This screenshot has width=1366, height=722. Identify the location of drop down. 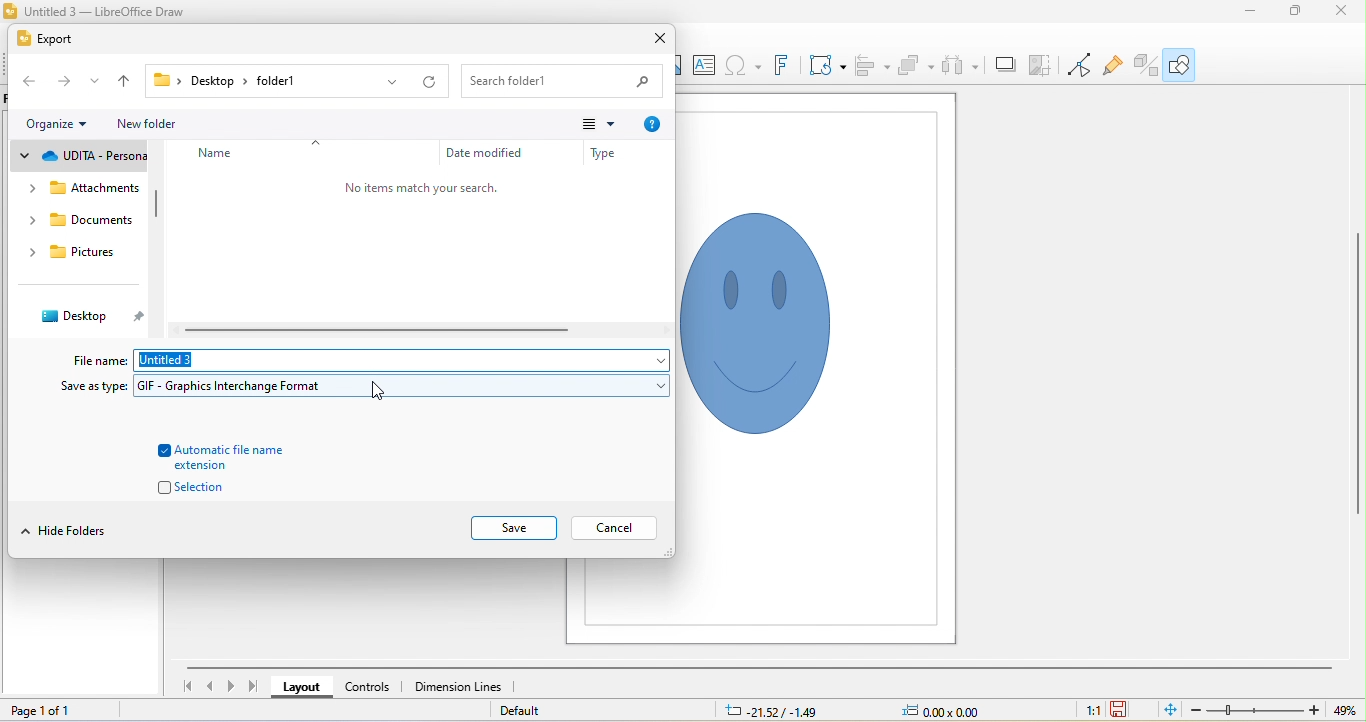
(317, 141).